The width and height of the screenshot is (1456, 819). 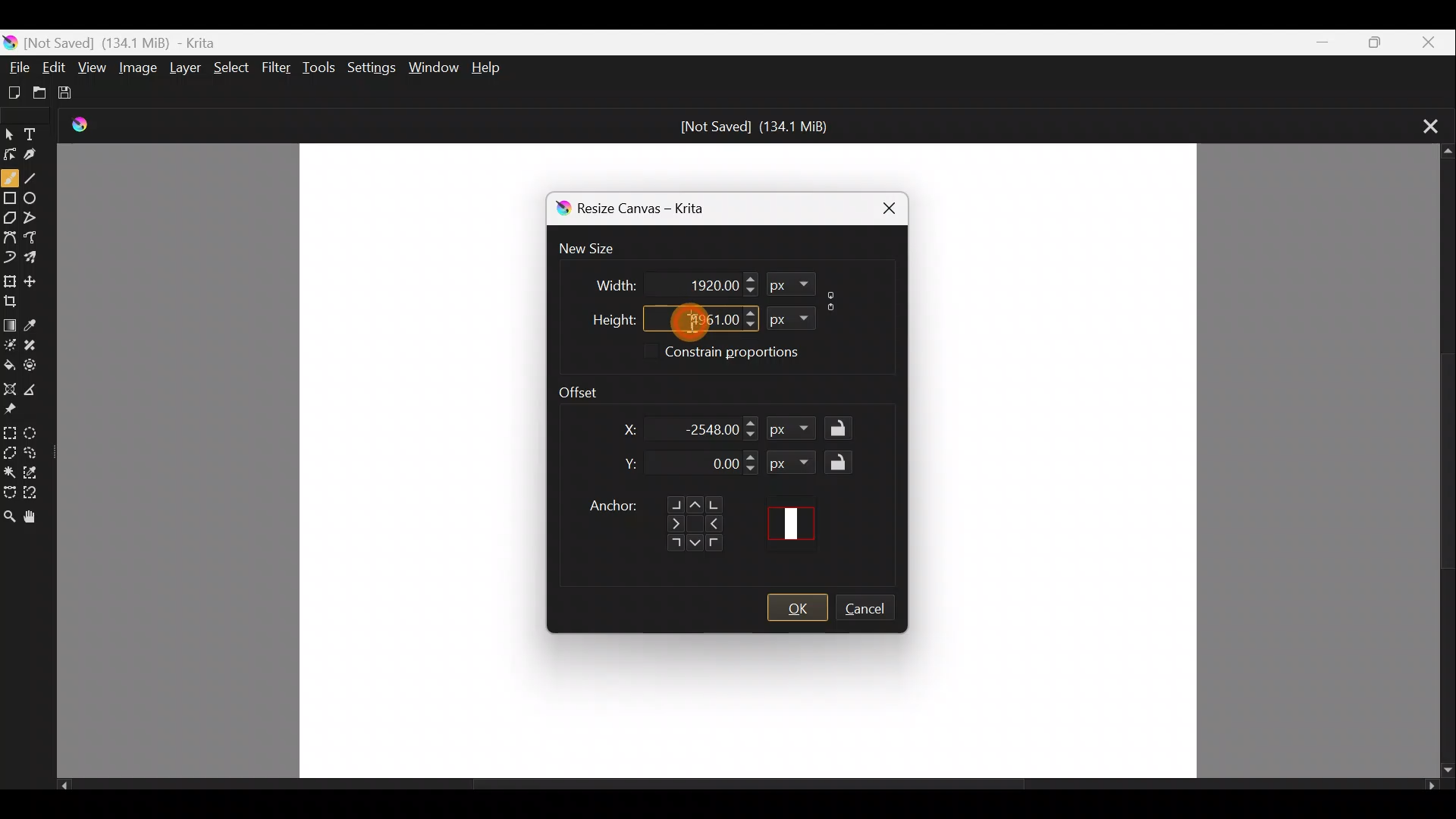 I want to click on Save, so click(x=79, y=96).